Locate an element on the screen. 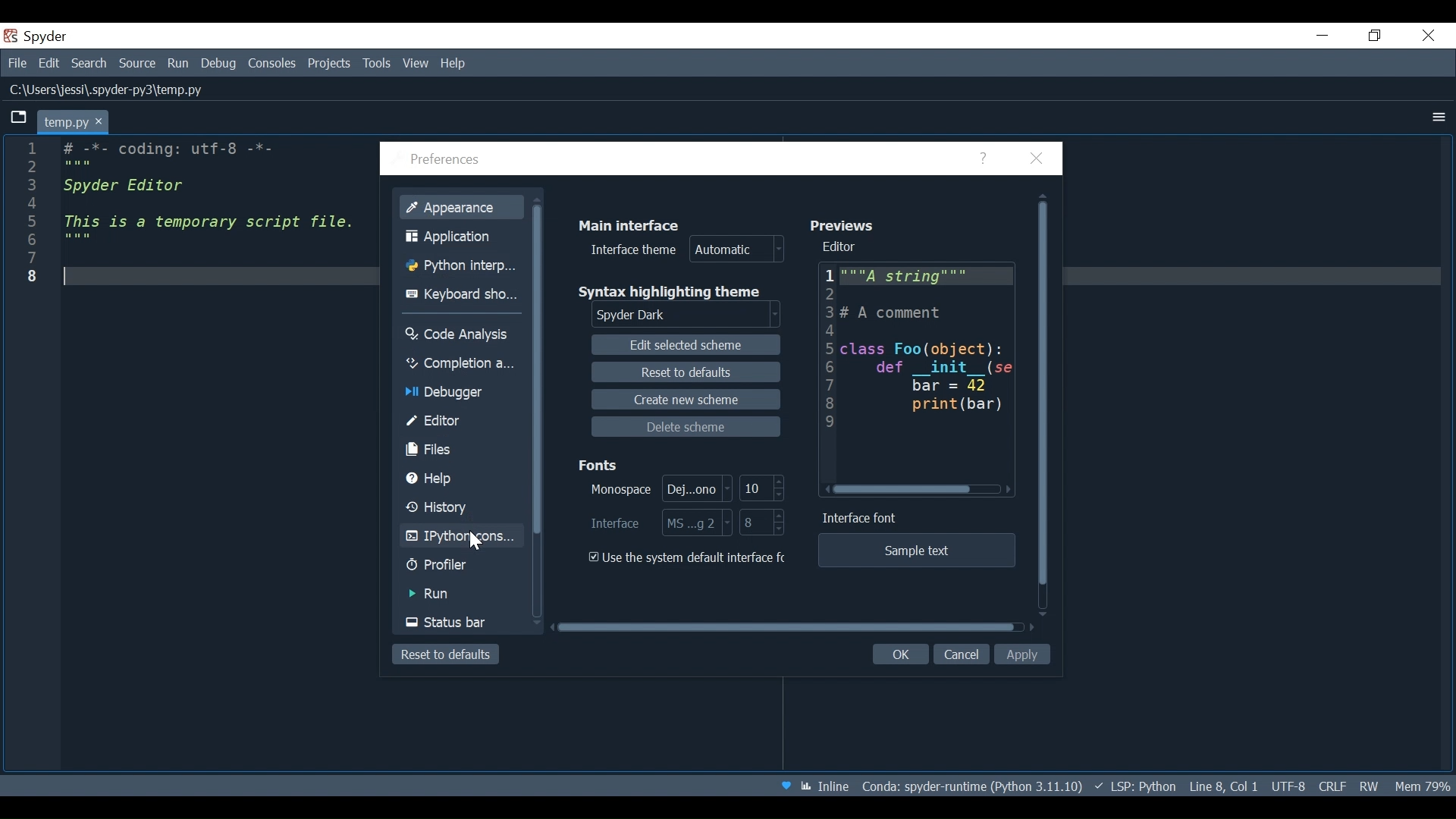 This screenshot has height=819, width=1456. Consoles is located at coordinates (271, 64).